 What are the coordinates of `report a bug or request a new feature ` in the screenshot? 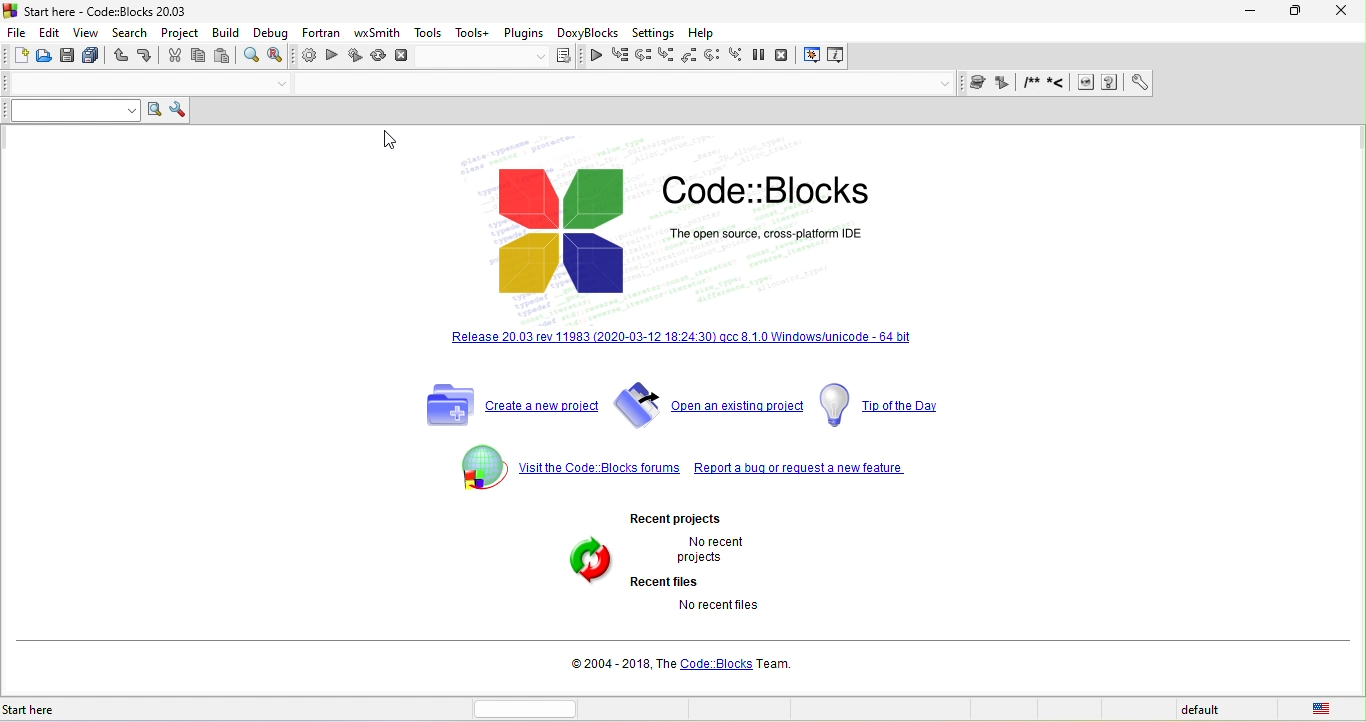 It's located at (817, 461).